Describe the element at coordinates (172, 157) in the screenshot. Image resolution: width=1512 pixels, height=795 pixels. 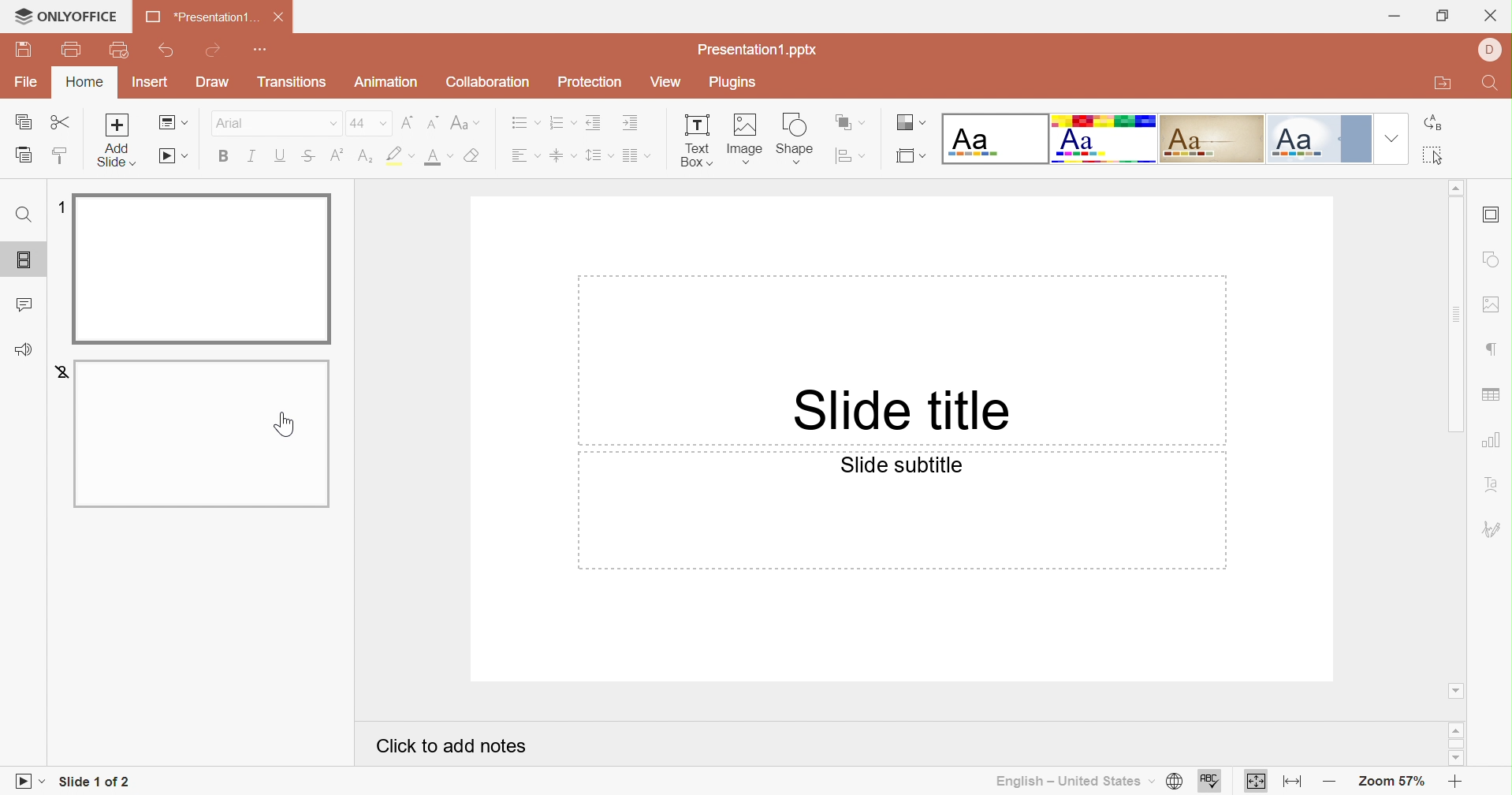
I see `Start slideshow` at that location.